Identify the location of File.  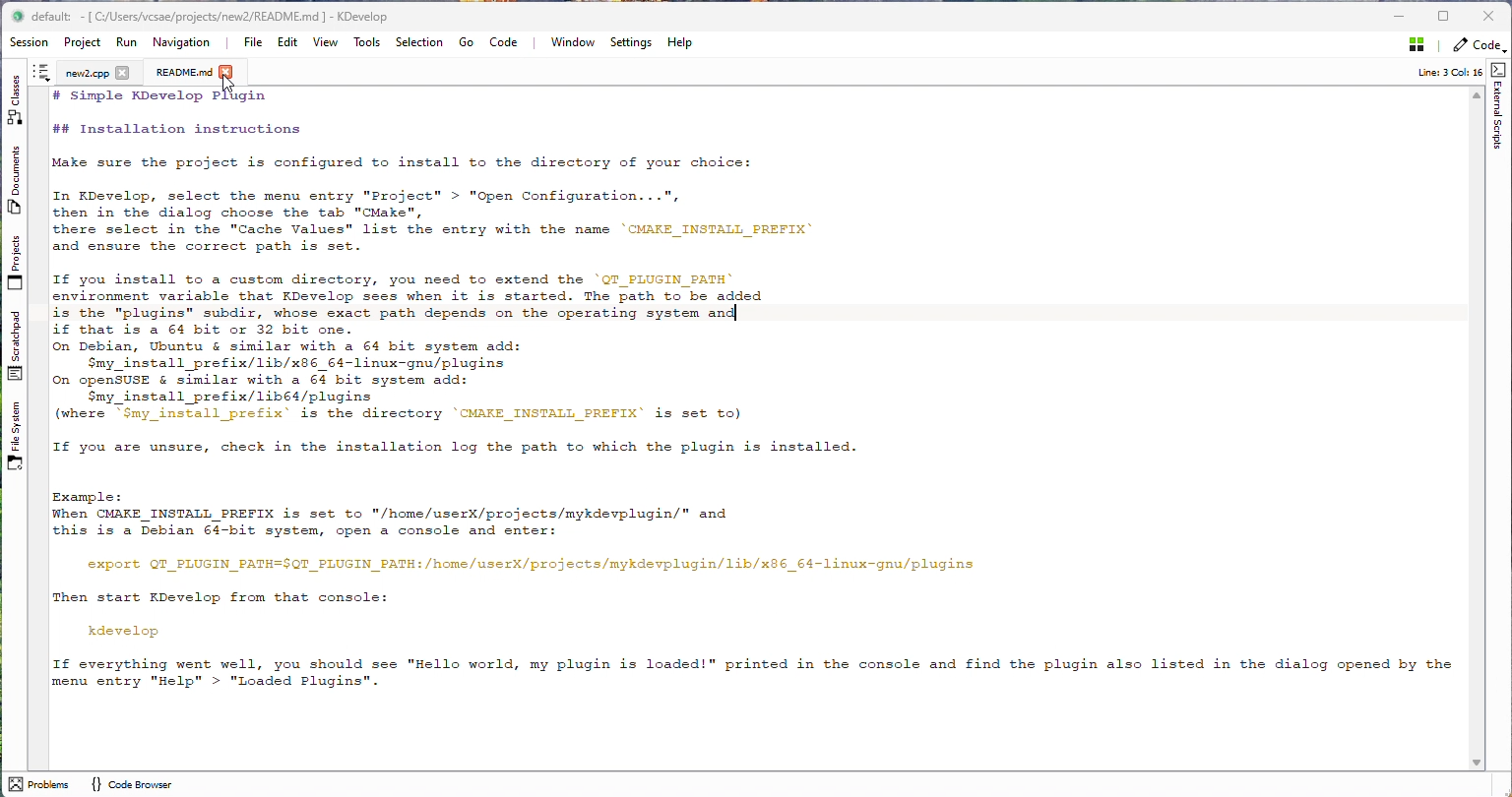
(252, 44).